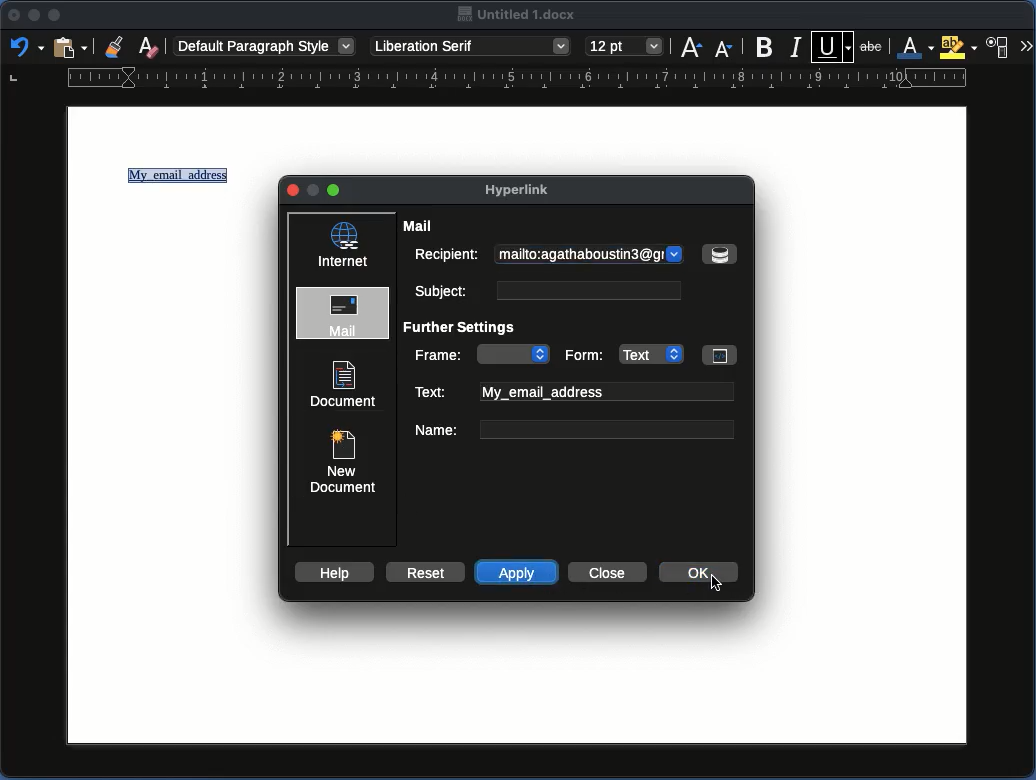 Image resolution: width=1036 pixels, height=780 pixels. I want to click on cursor, so click(719, 590).